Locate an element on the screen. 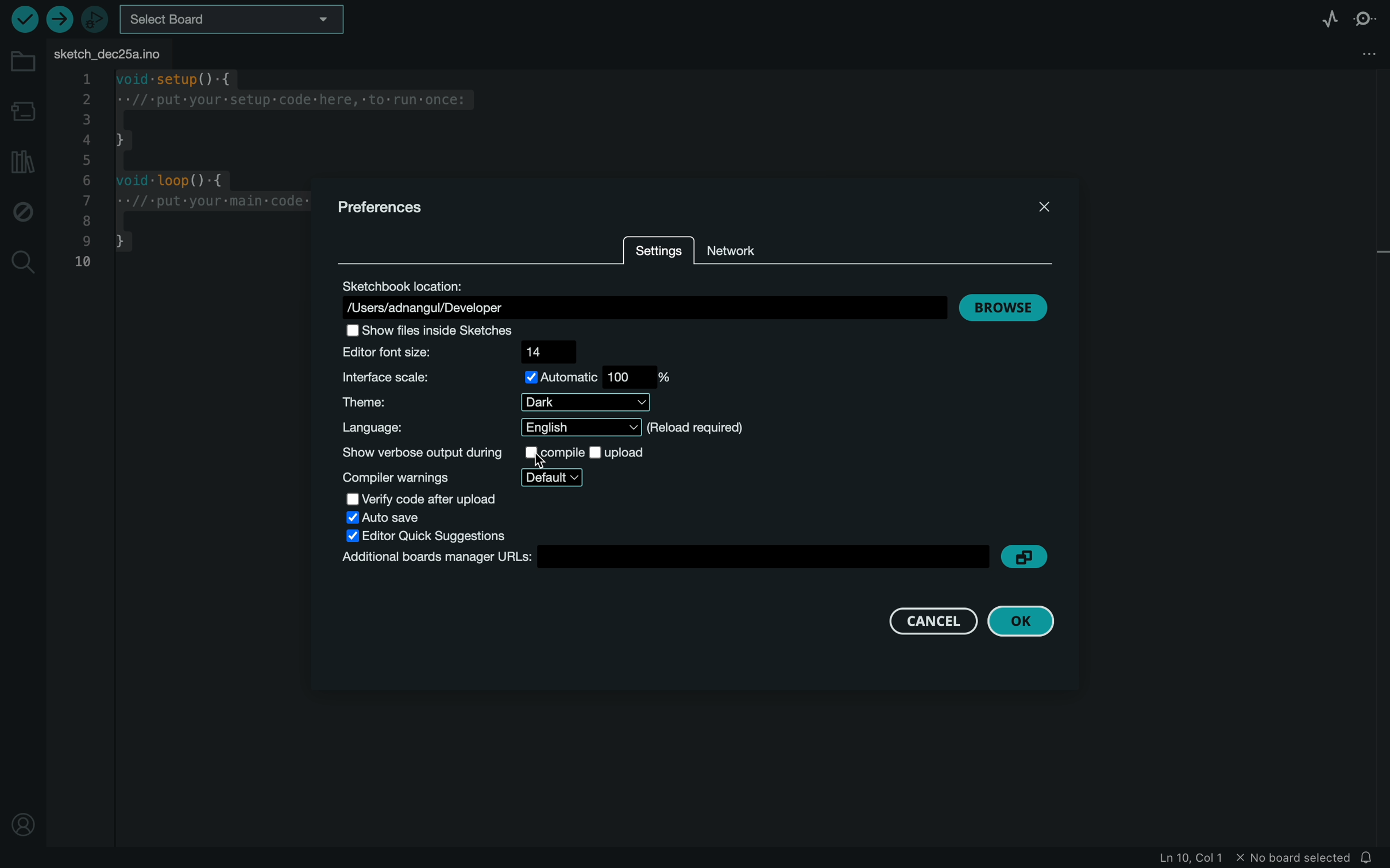  close is located at coordinates (1048, 203).